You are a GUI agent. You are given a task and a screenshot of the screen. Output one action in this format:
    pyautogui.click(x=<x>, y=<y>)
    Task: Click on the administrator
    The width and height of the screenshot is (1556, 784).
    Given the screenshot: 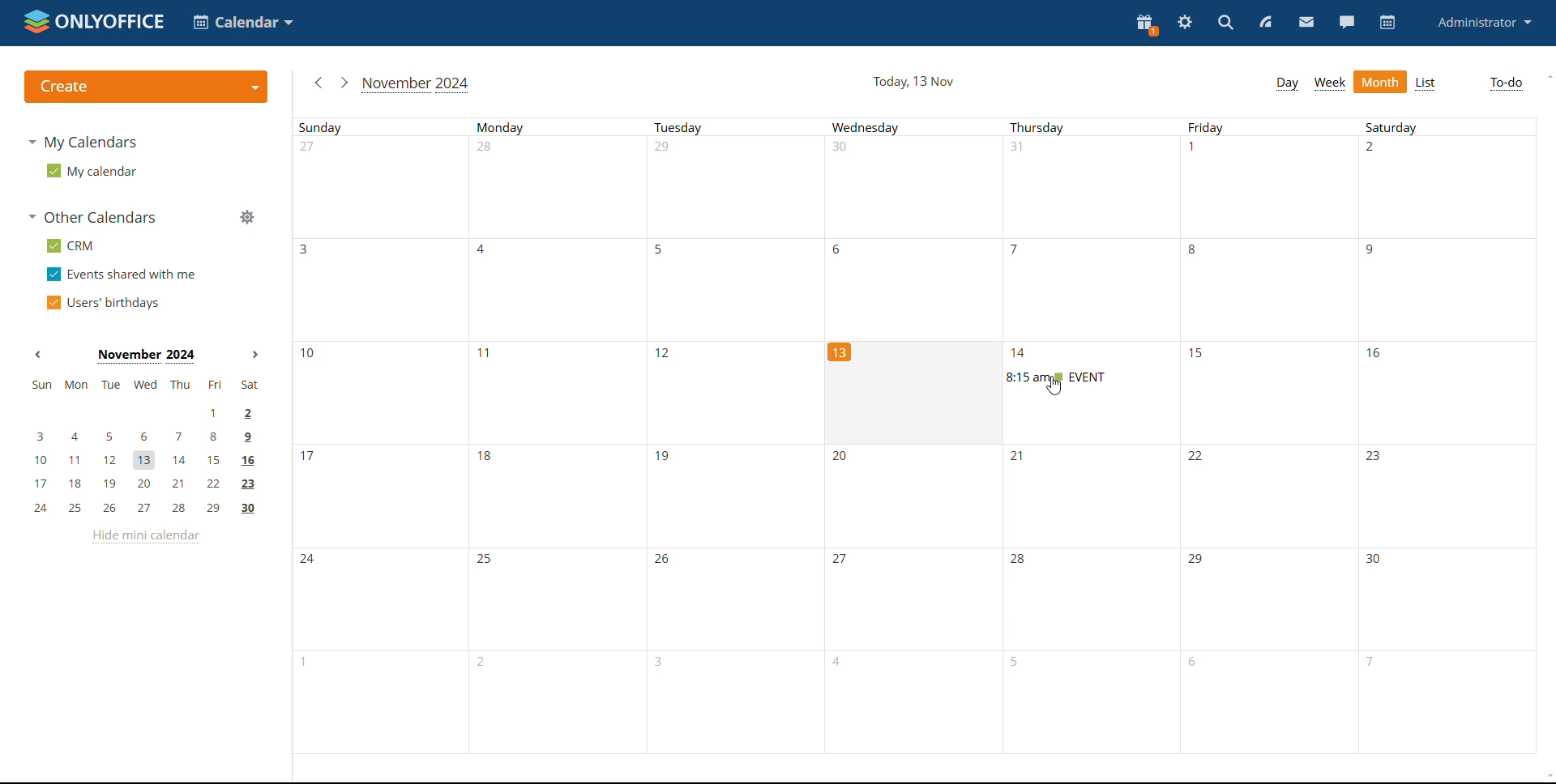 What is the action you would take?
    pyautogui.click(x=1483, y=21)
    